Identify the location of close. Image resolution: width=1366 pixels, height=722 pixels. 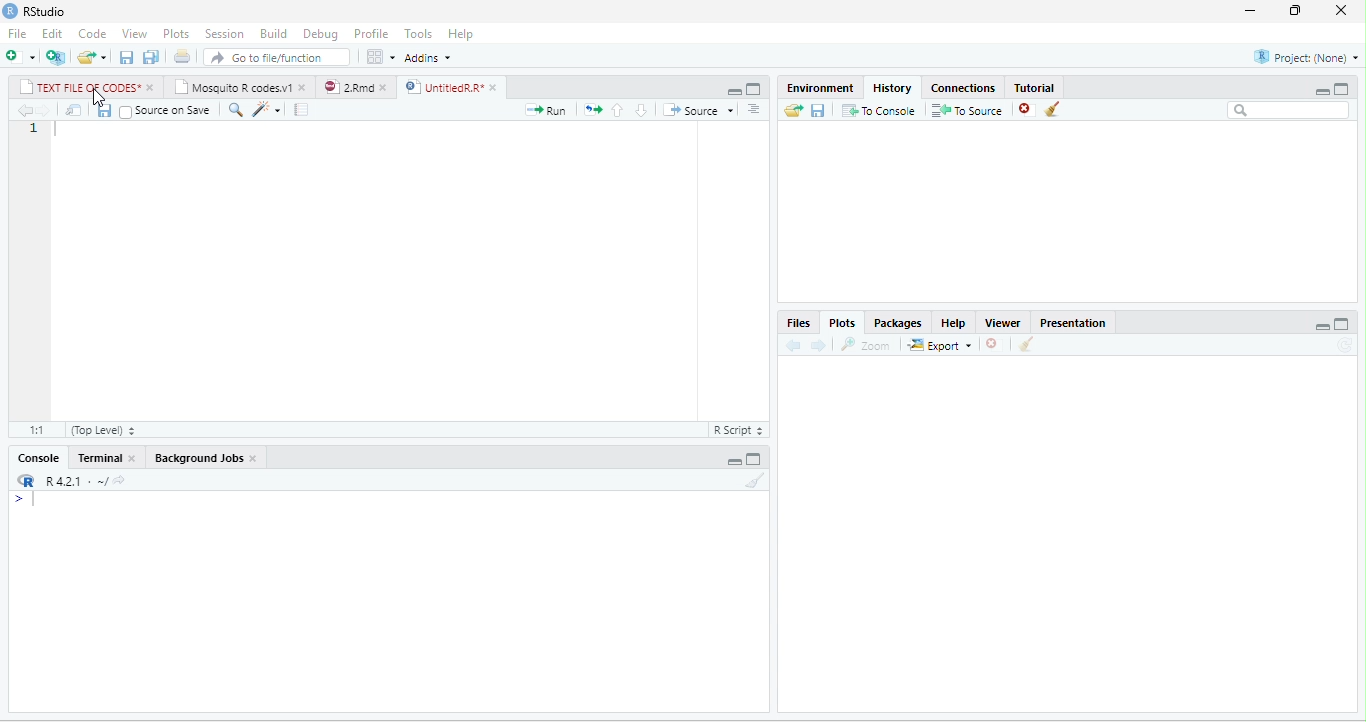
(134, 458).